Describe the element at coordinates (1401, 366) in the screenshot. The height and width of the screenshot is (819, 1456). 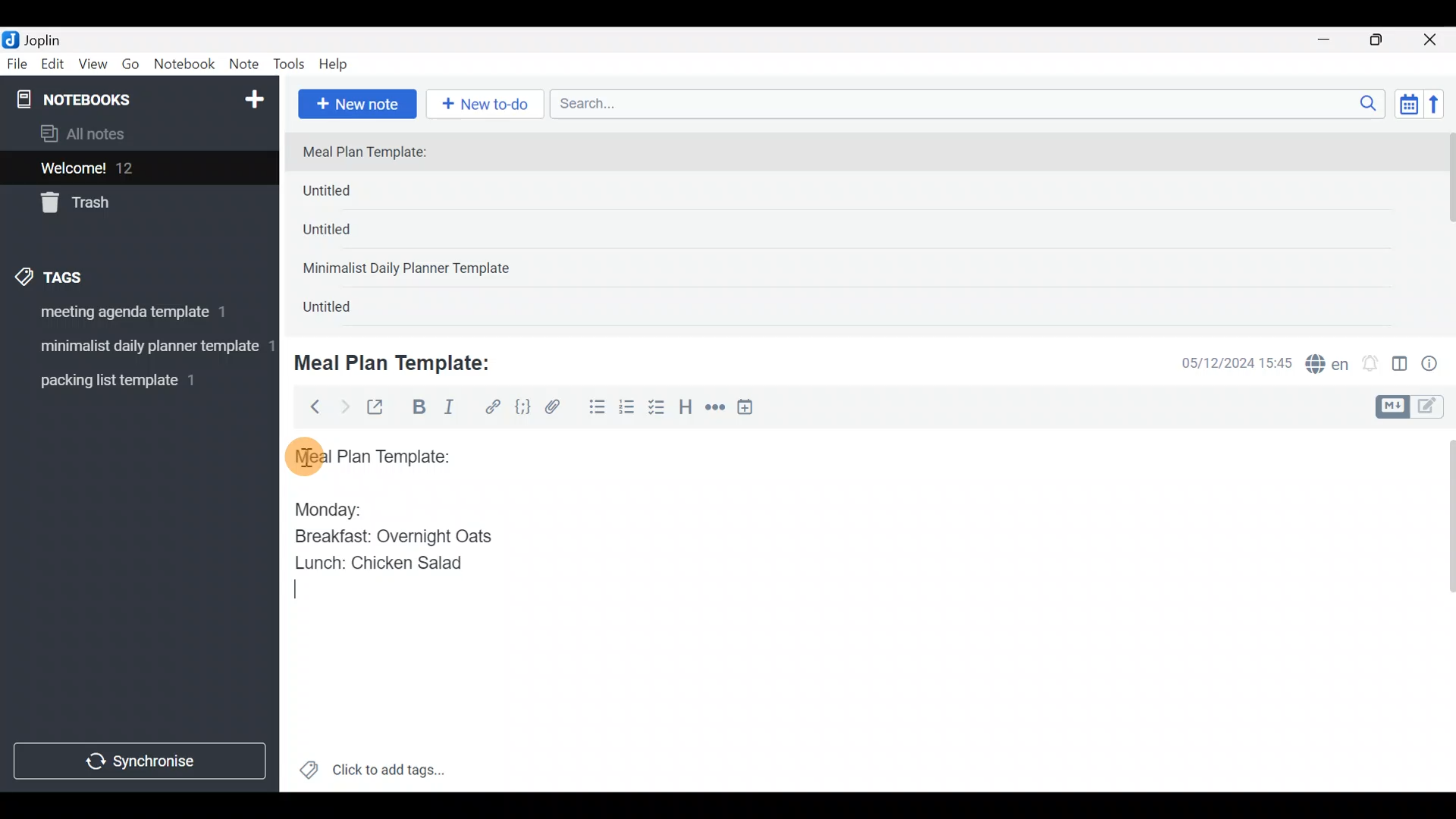
I see `Toggle editor layout` at that location.